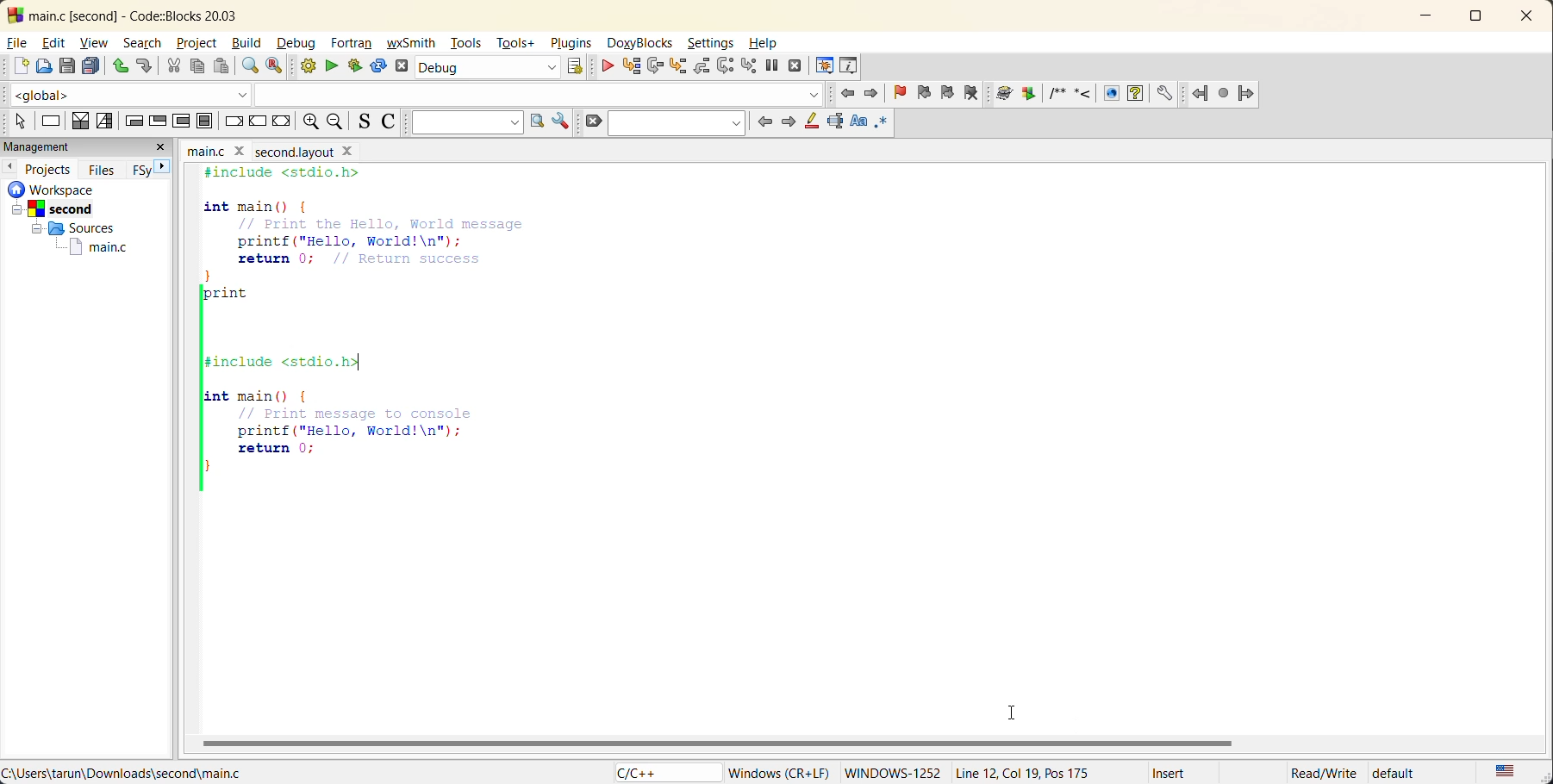  What do you see at coordinates (1247, 94) in the screenshot?
I see `jump forward` at bounding box center [1247, 94].